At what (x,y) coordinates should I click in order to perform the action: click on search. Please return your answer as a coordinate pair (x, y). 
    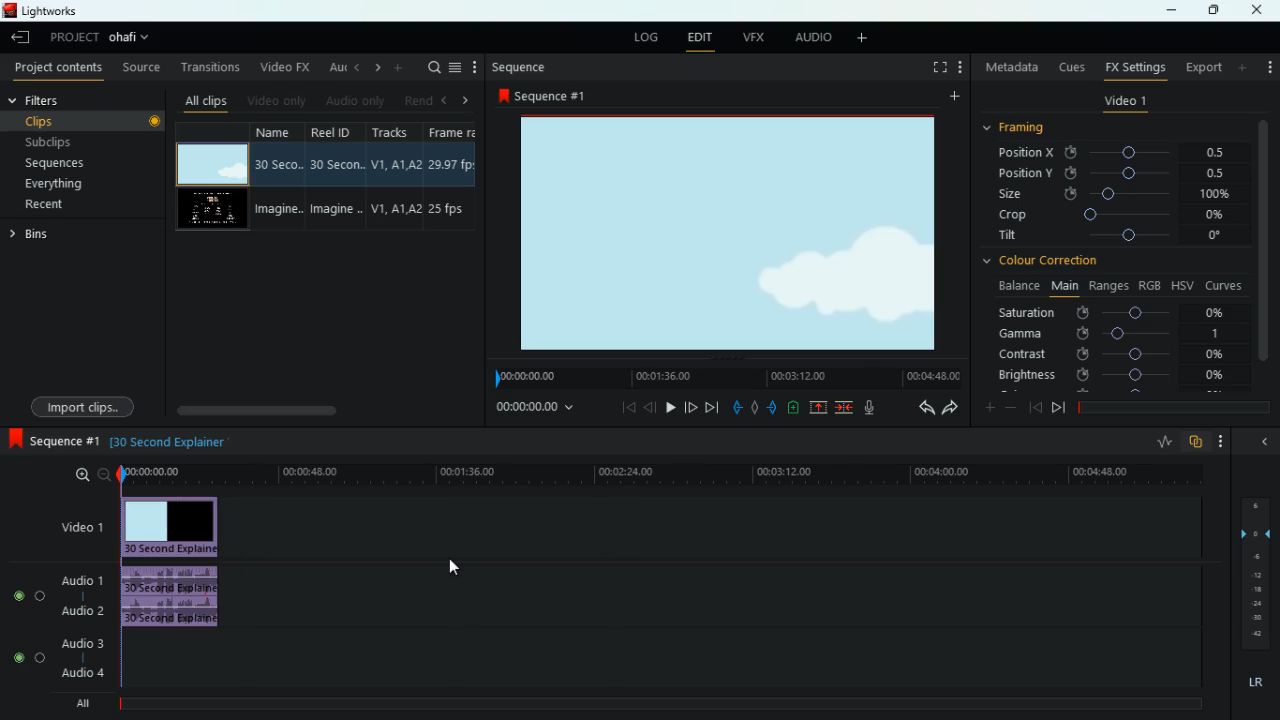
    Looking at the image, I should click on (429, 66).